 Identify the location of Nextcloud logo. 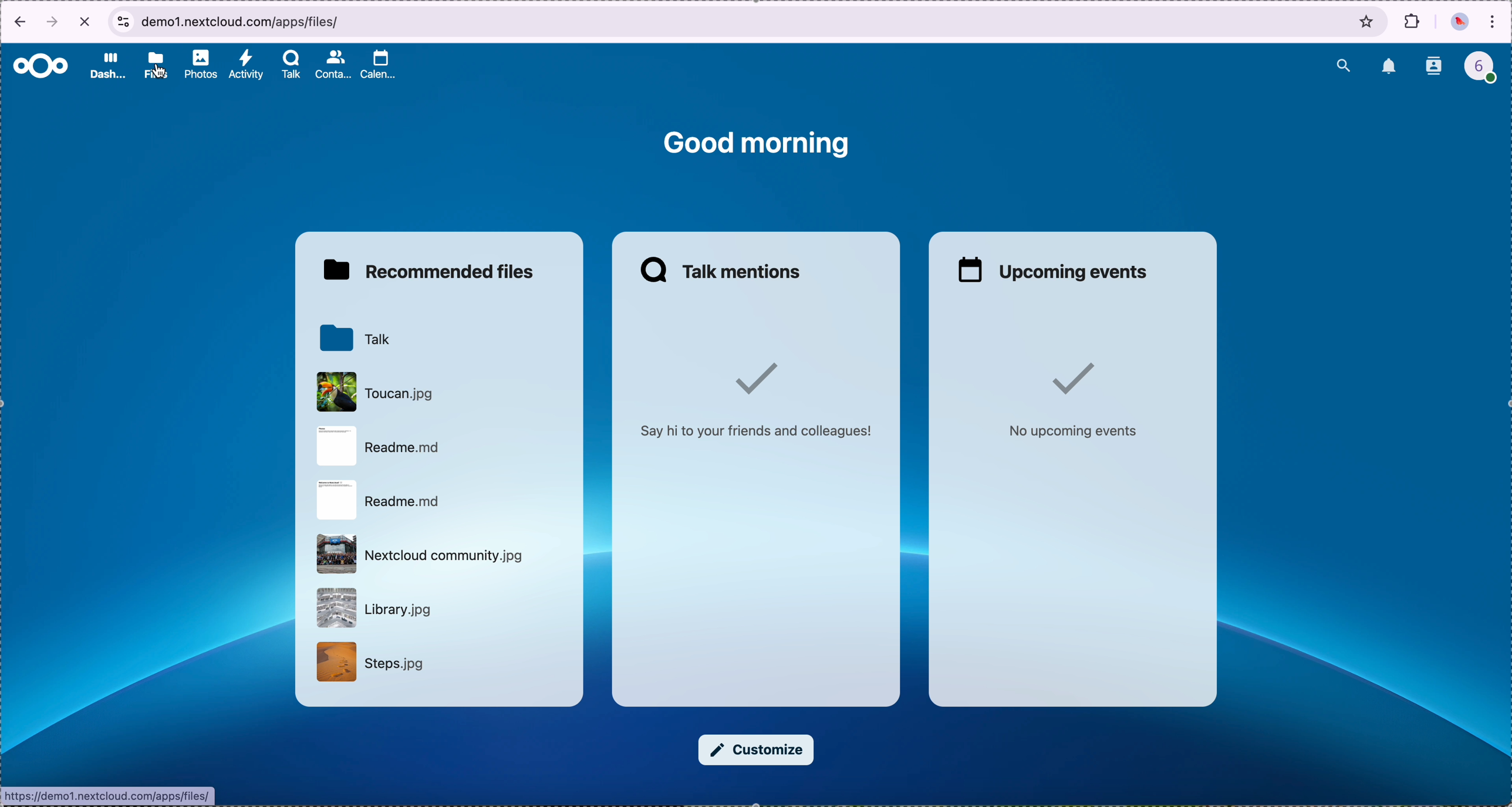
(41, 67).